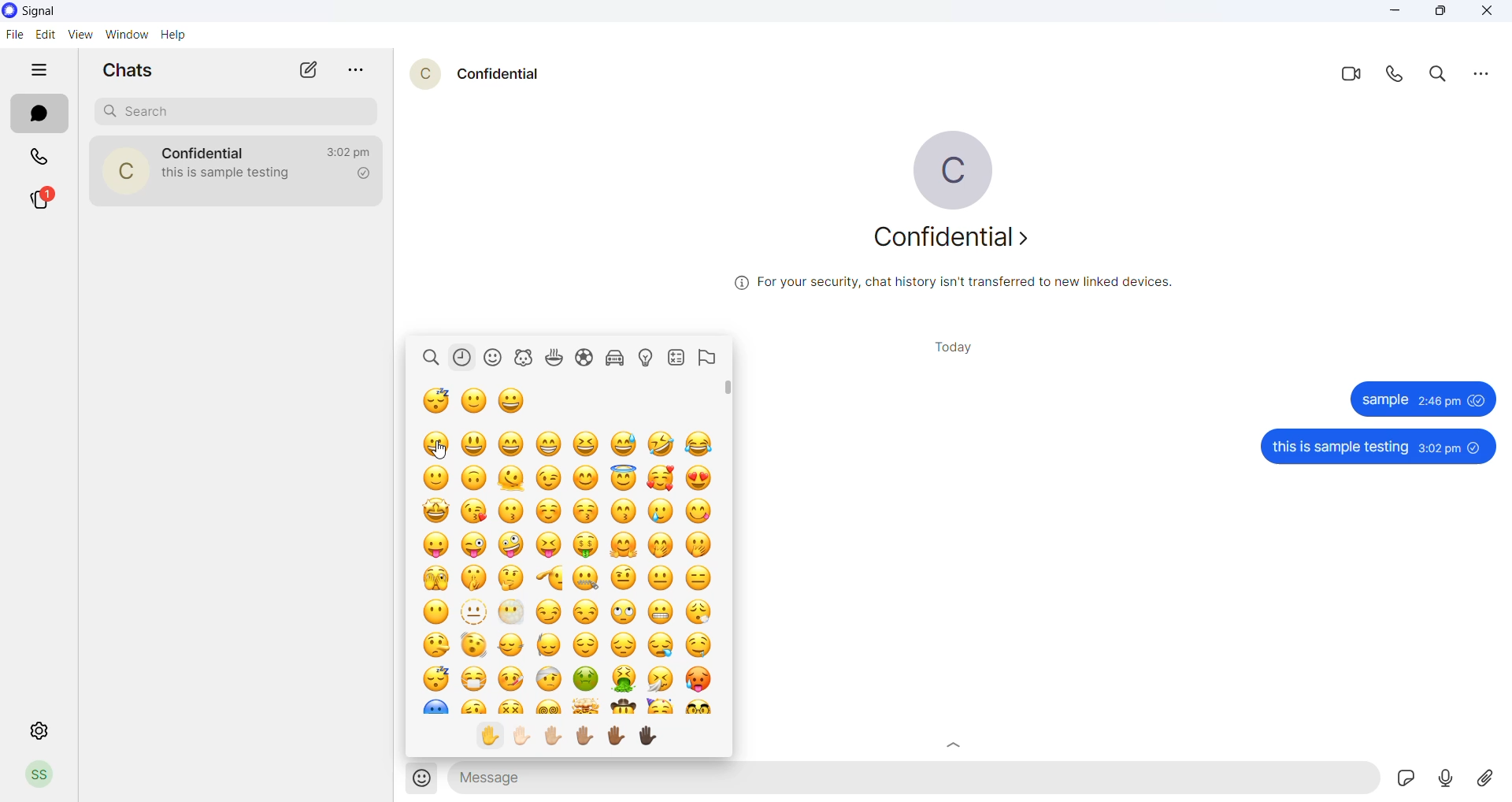  What do you see at coordinates (418, 75) in the screenshot?
I see `contact profile picture` at bounding box center [418, 75].